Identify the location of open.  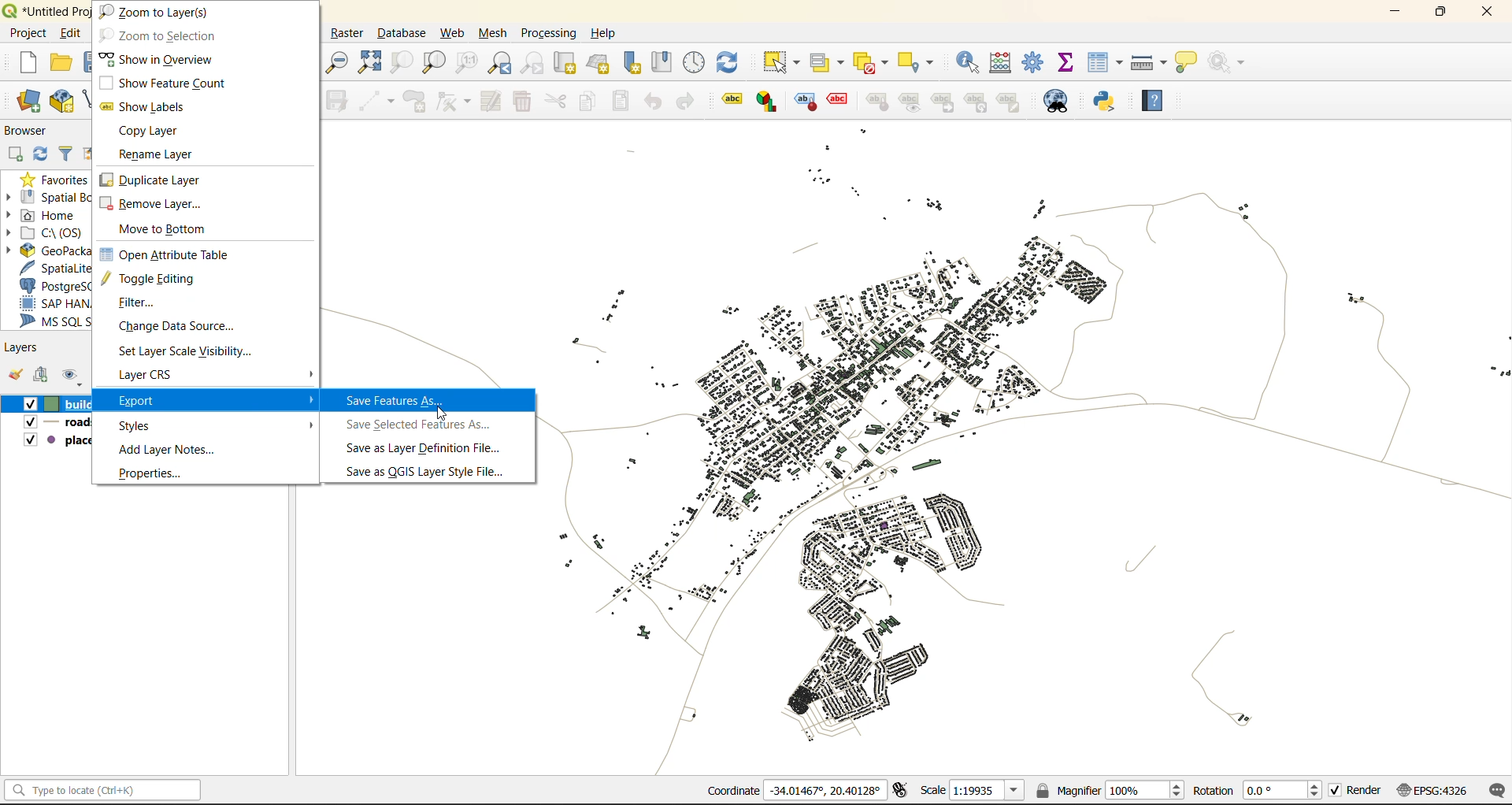
(13, 376).